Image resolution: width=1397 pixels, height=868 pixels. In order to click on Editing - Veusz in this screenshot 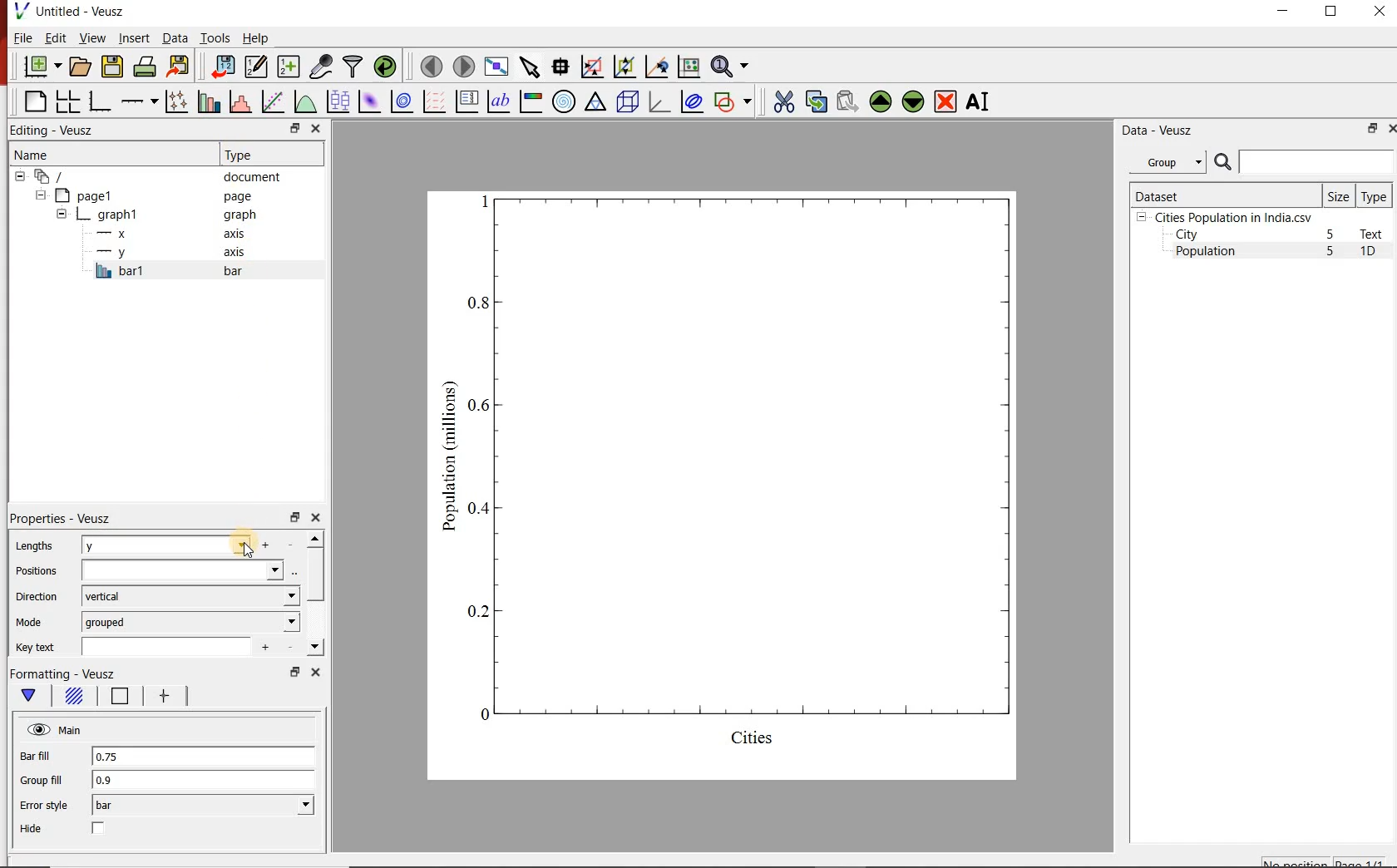, I will do `click(61, 130)`.